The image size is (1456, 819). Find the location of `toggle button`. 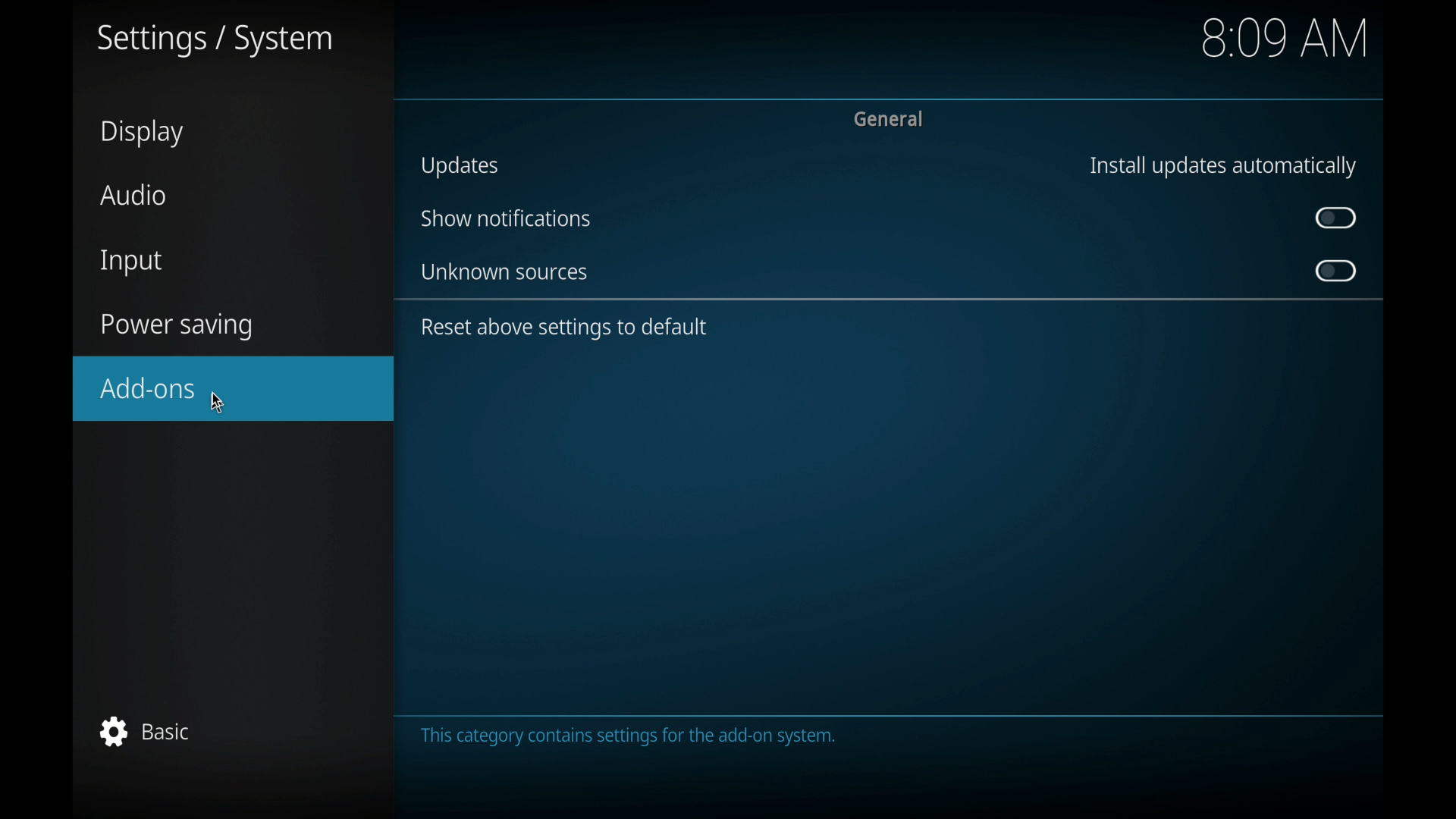

toggle button is located at coordinates (1337, 271).